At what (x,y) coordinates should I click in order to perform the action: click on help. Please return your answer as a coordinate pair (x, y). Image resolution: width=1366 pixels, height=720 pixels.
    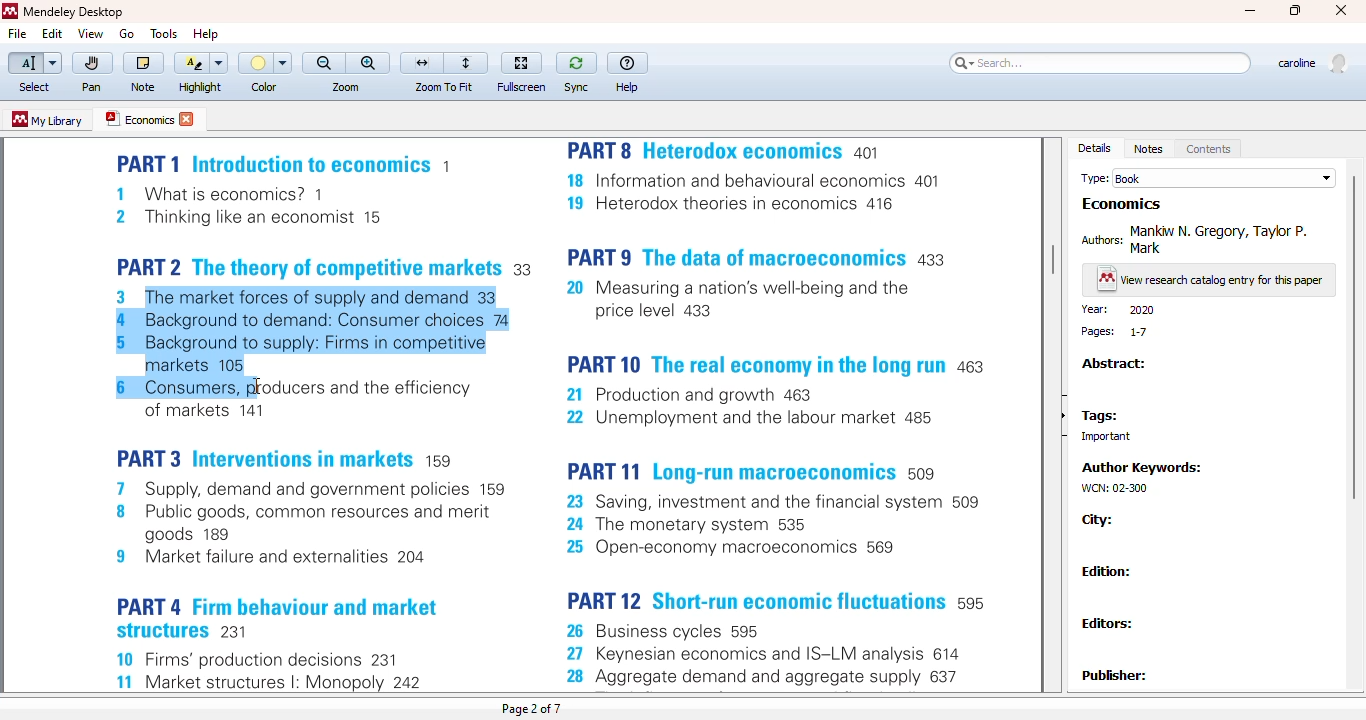
    Looking at the image, I should click on (628, 88).